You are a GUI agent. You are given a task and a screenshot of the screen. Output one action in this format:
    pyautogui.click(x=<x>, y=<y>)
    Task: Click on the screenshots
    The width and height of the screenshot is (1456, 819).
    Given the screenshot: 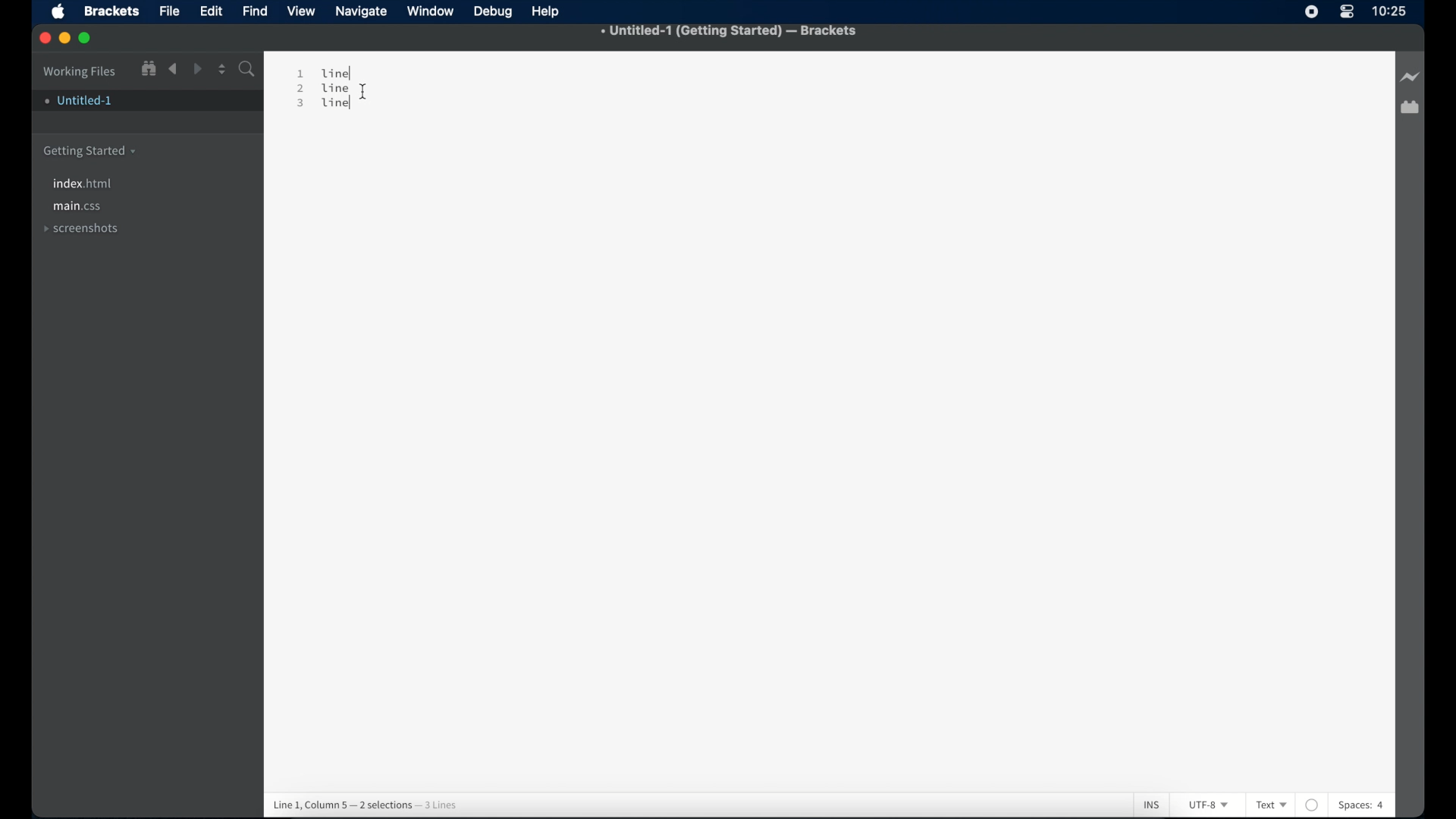 What is the action you would take?
    pyautogui.click(x=81, y=227)
    